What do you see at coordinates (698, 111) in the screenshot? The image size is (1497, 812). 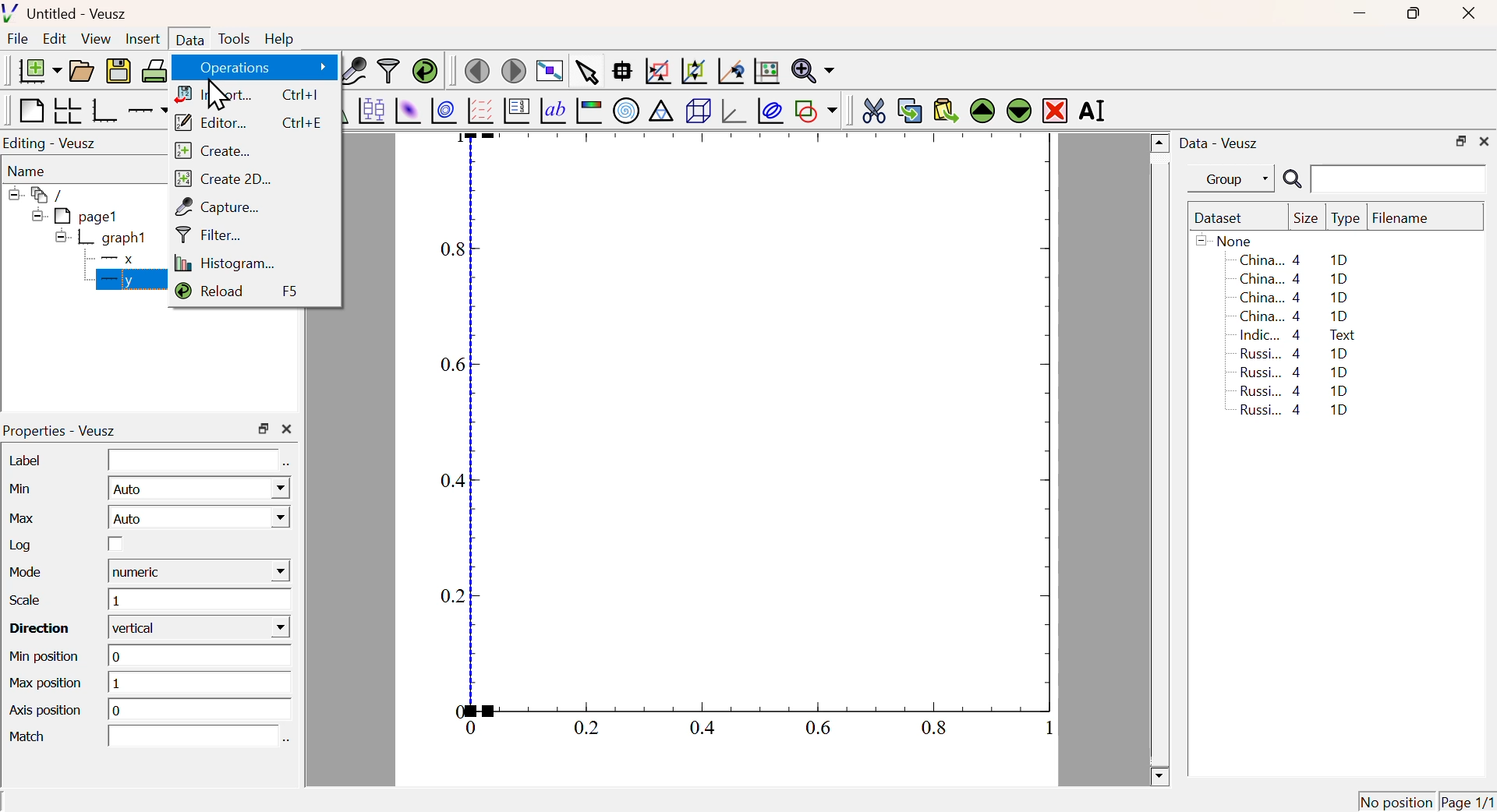 I see `3D Scene` at bounding box center [698, 111].